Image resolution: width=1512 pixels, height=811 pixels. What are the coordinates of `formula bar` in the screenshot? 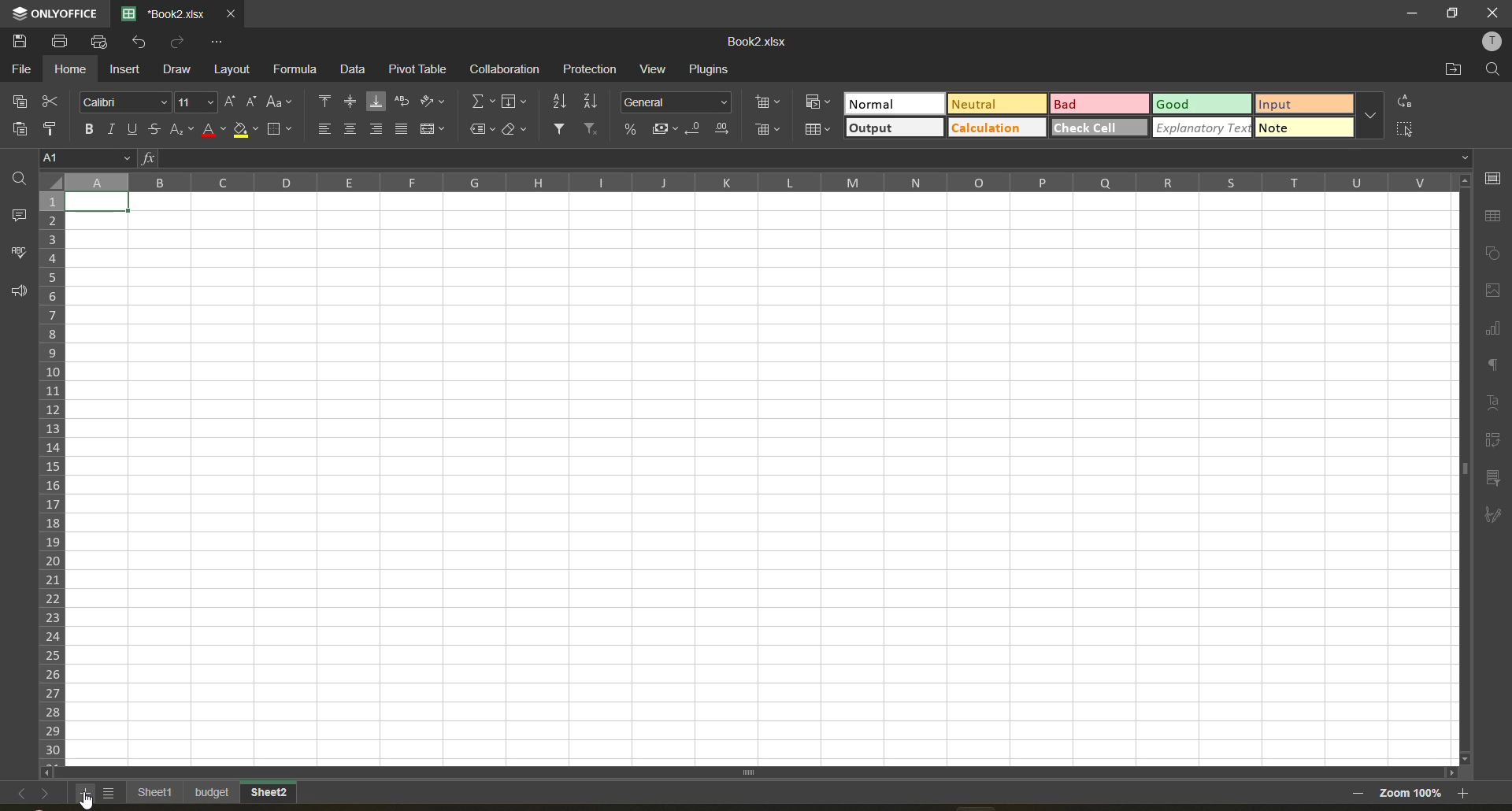 It's located at (804, 157).